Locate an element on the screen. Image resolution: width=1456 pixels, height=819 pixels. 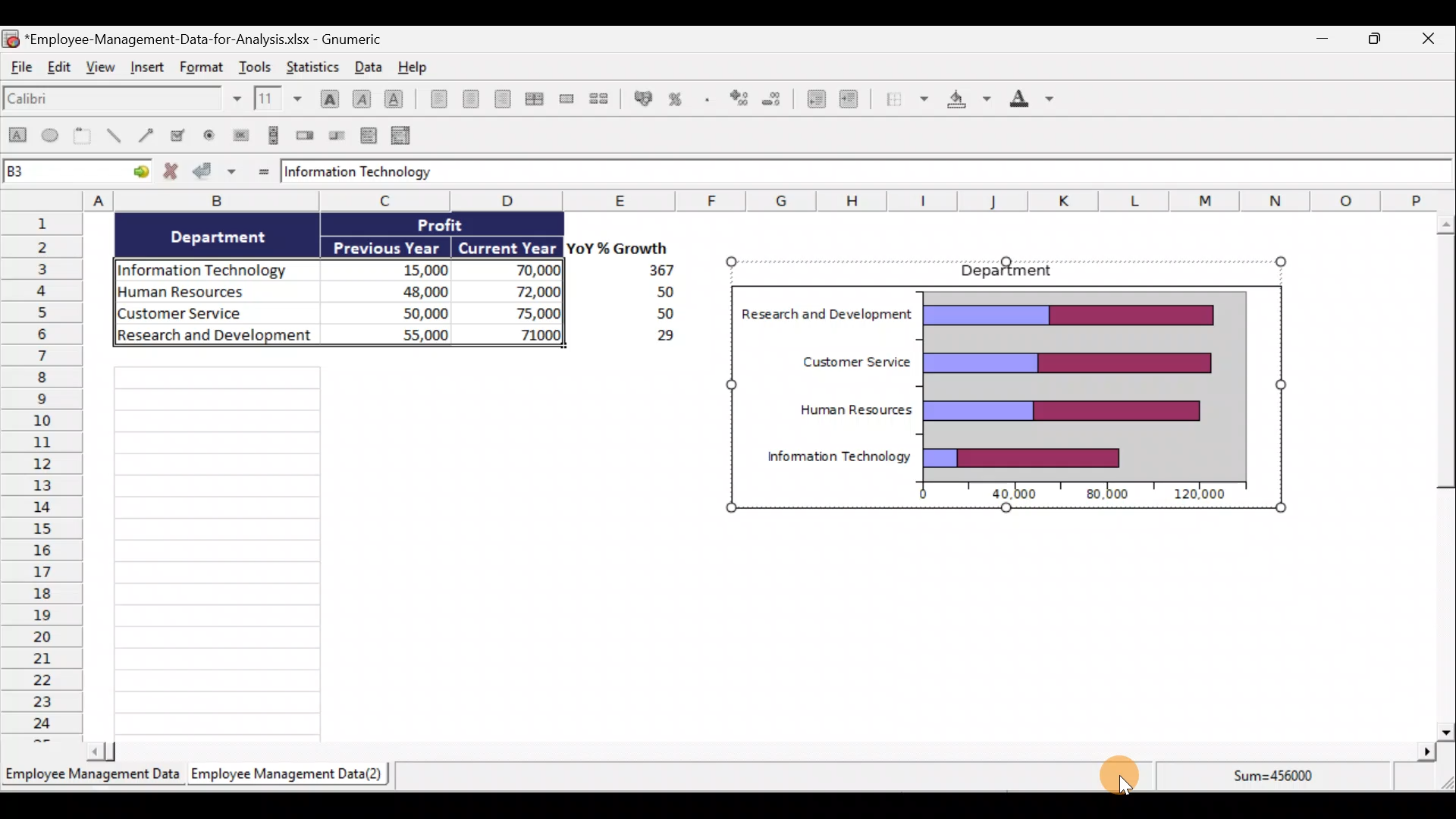
Research and Development is located at coordinates (215, 339).